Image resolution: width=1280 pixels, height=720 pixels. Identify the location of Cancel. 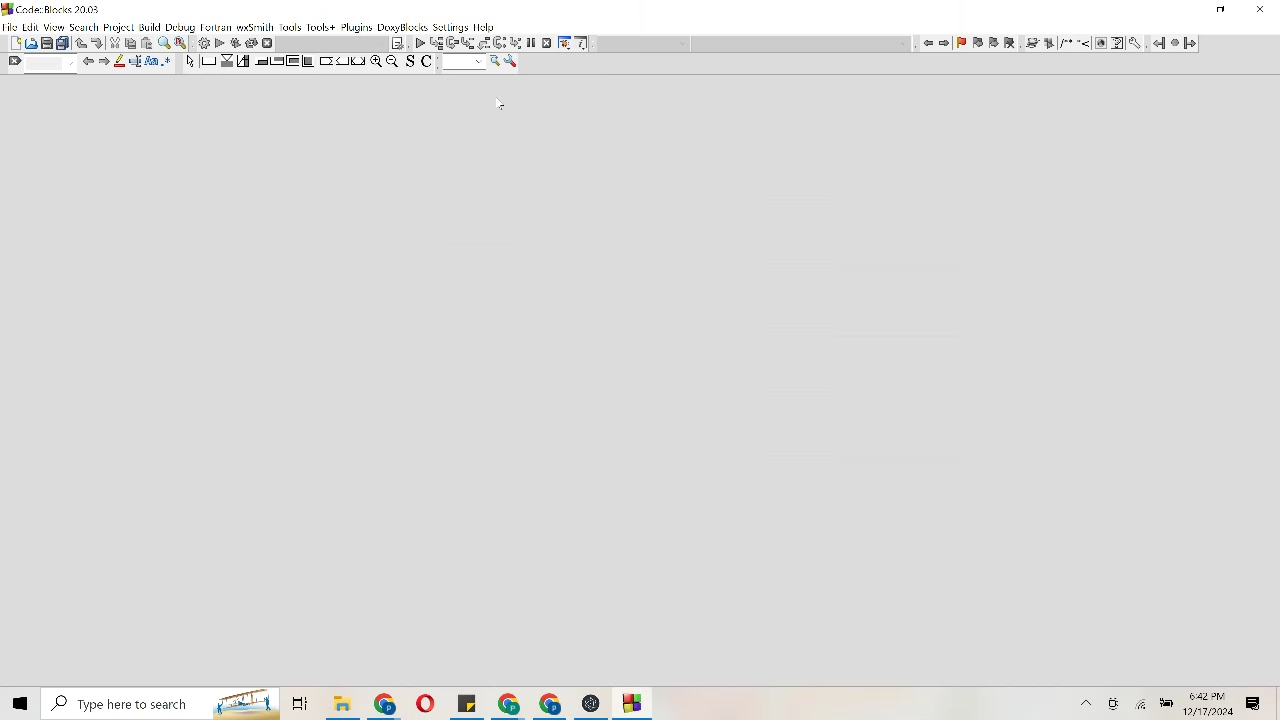
(548, 43).